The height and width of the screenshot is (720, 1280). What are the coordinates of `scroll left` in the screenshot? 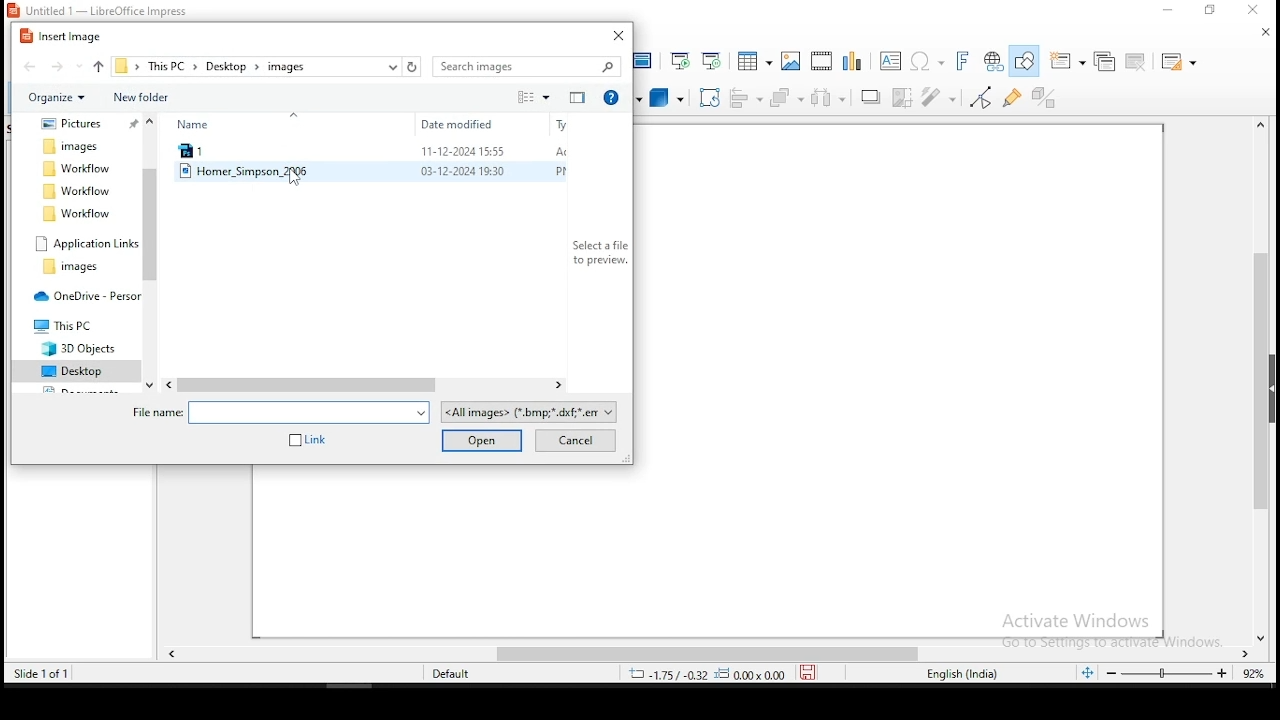 It's located at (170, 383).